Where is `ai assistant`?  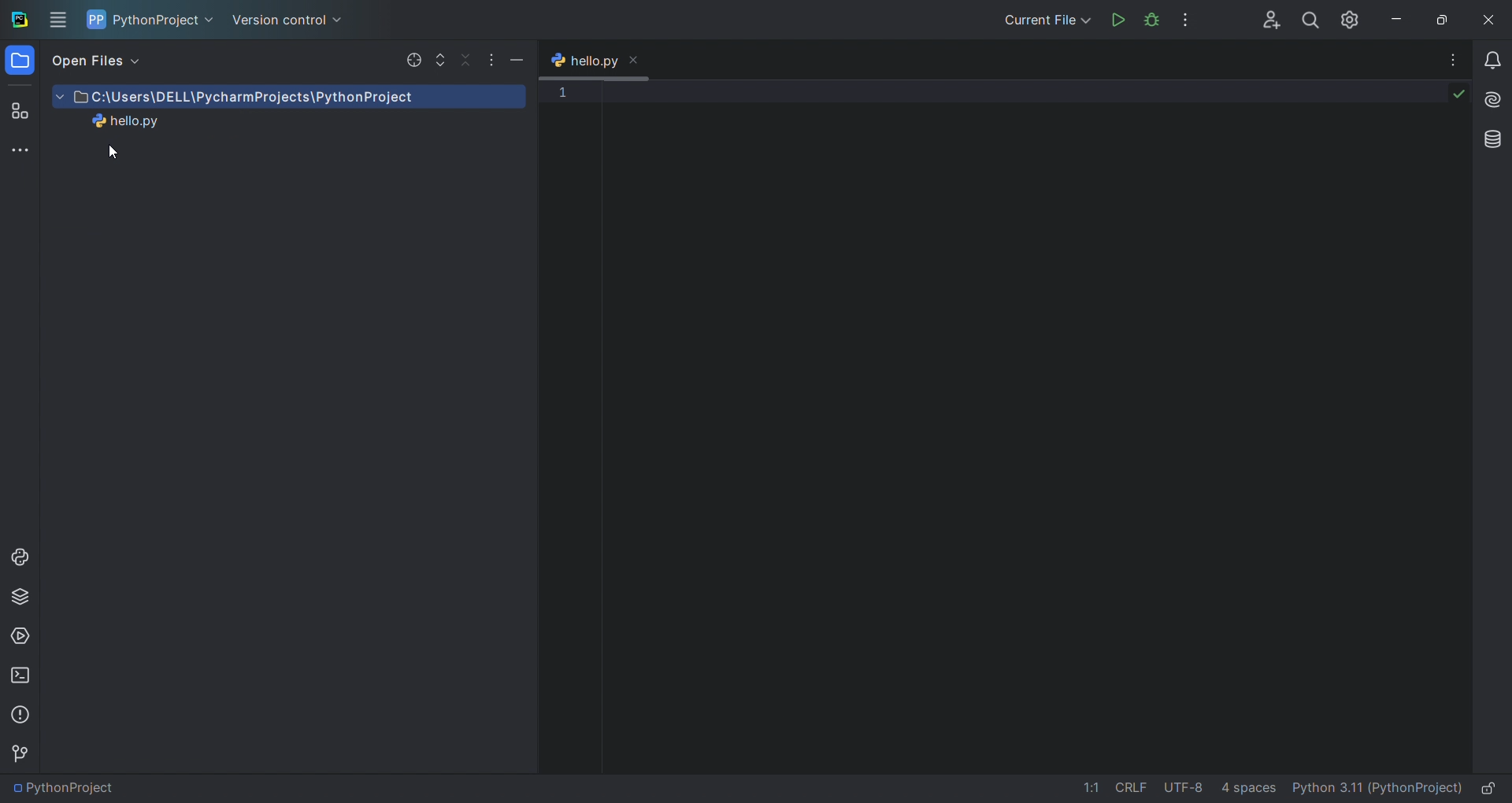
ai assistant is located at coordinates (1492, 98).